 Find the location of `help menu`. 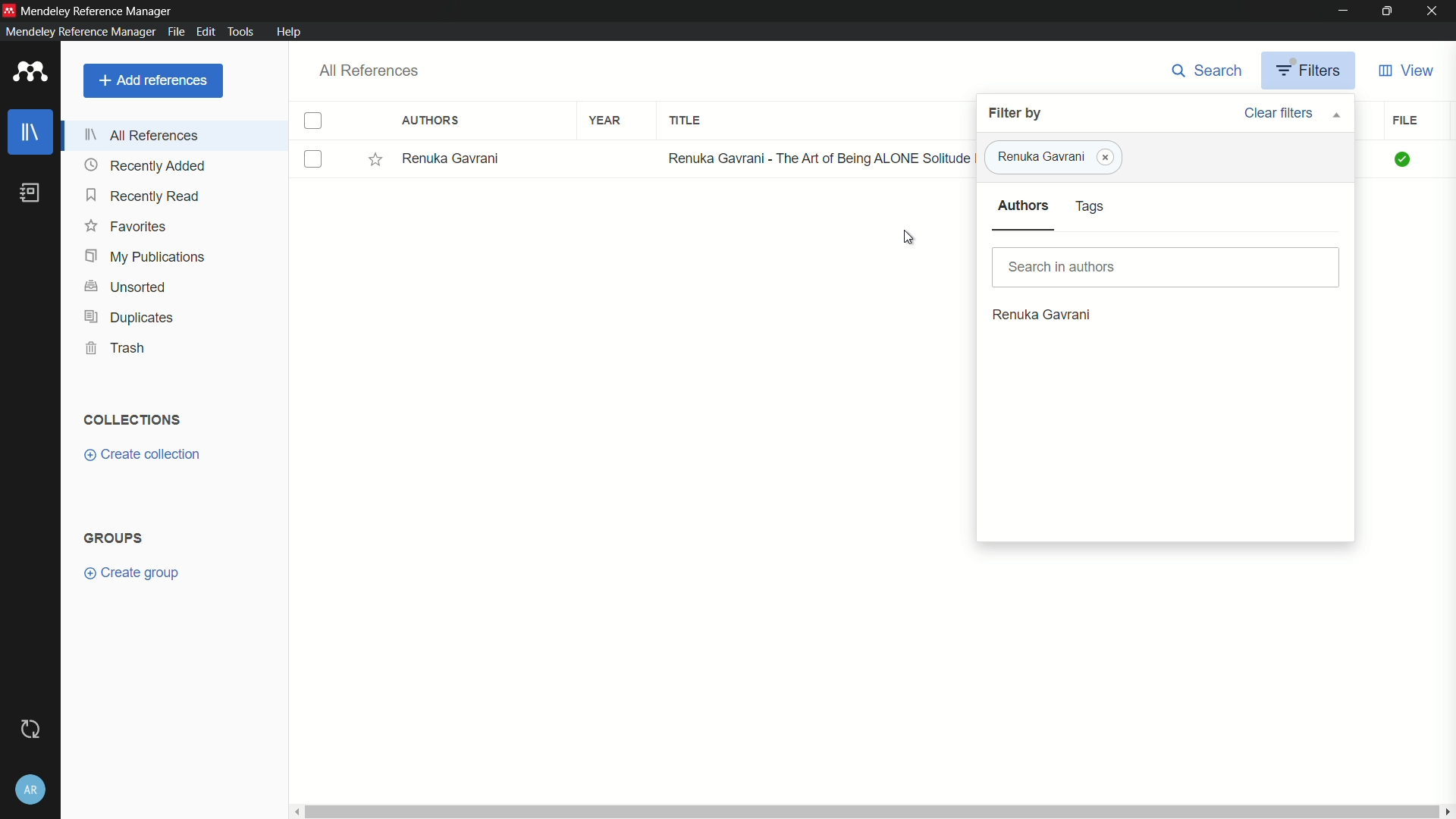

help menu is located at coordinates (289, 30).